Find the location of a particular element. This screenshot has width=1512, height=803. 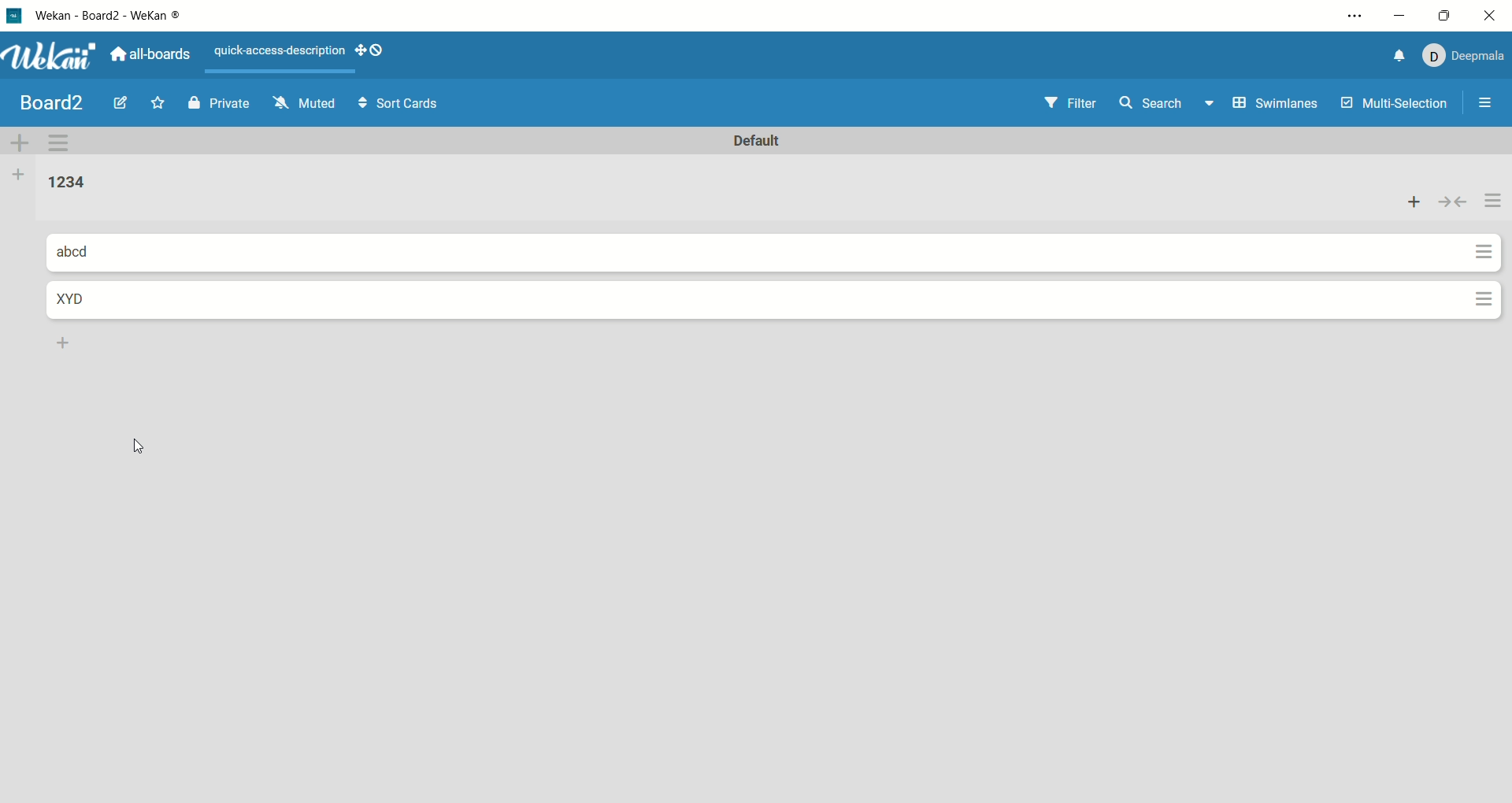

swimlane action is located at coordinates (65, 141).